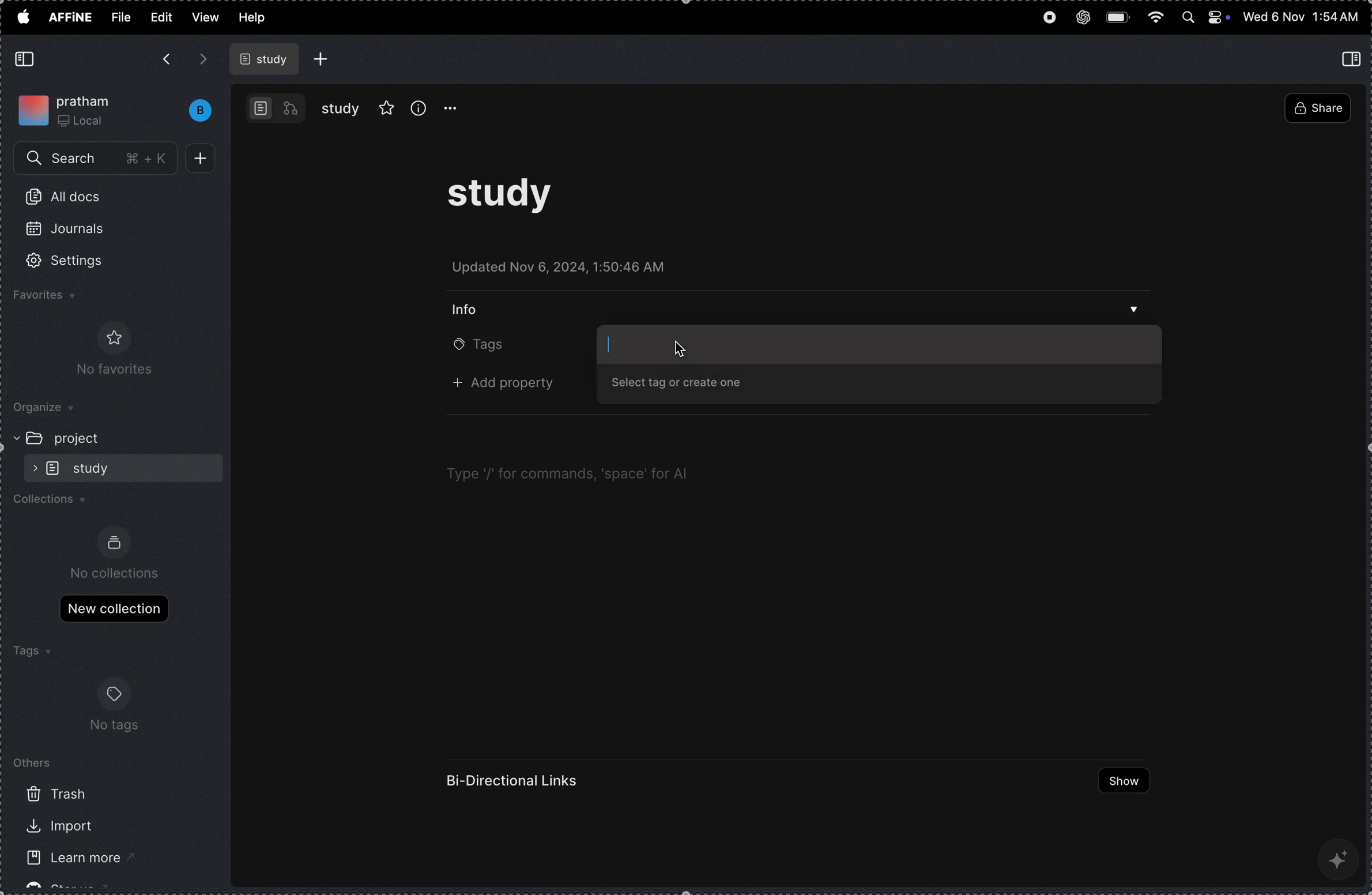 Image resolution: width=1372 pixels, height=895 pixels. Describe the element at coordinates (108, 371) in the screenshot. I see `No favorites` at that location.